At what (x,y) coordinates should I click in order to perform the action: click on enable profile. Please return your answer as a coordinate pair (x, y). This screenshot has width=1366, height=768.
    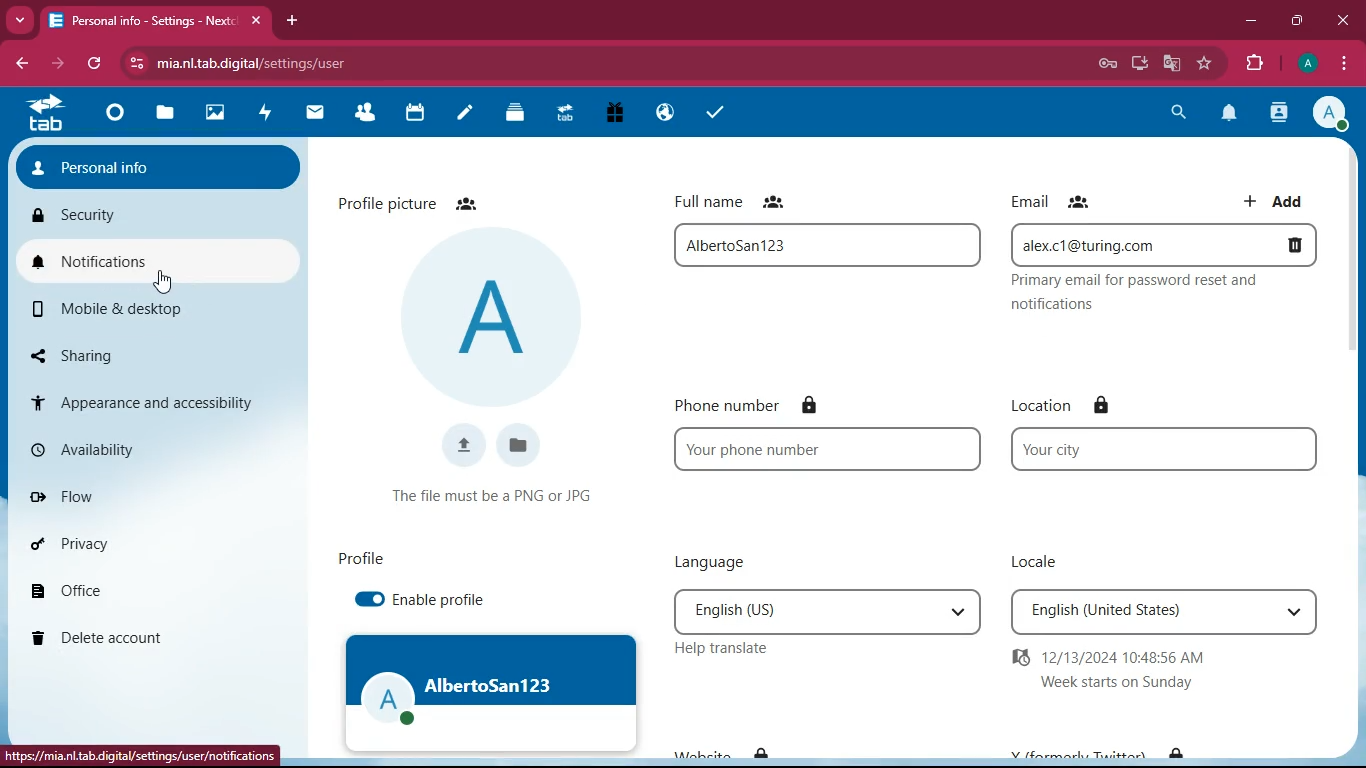
    Looking at the image, I should click on (420, 601).